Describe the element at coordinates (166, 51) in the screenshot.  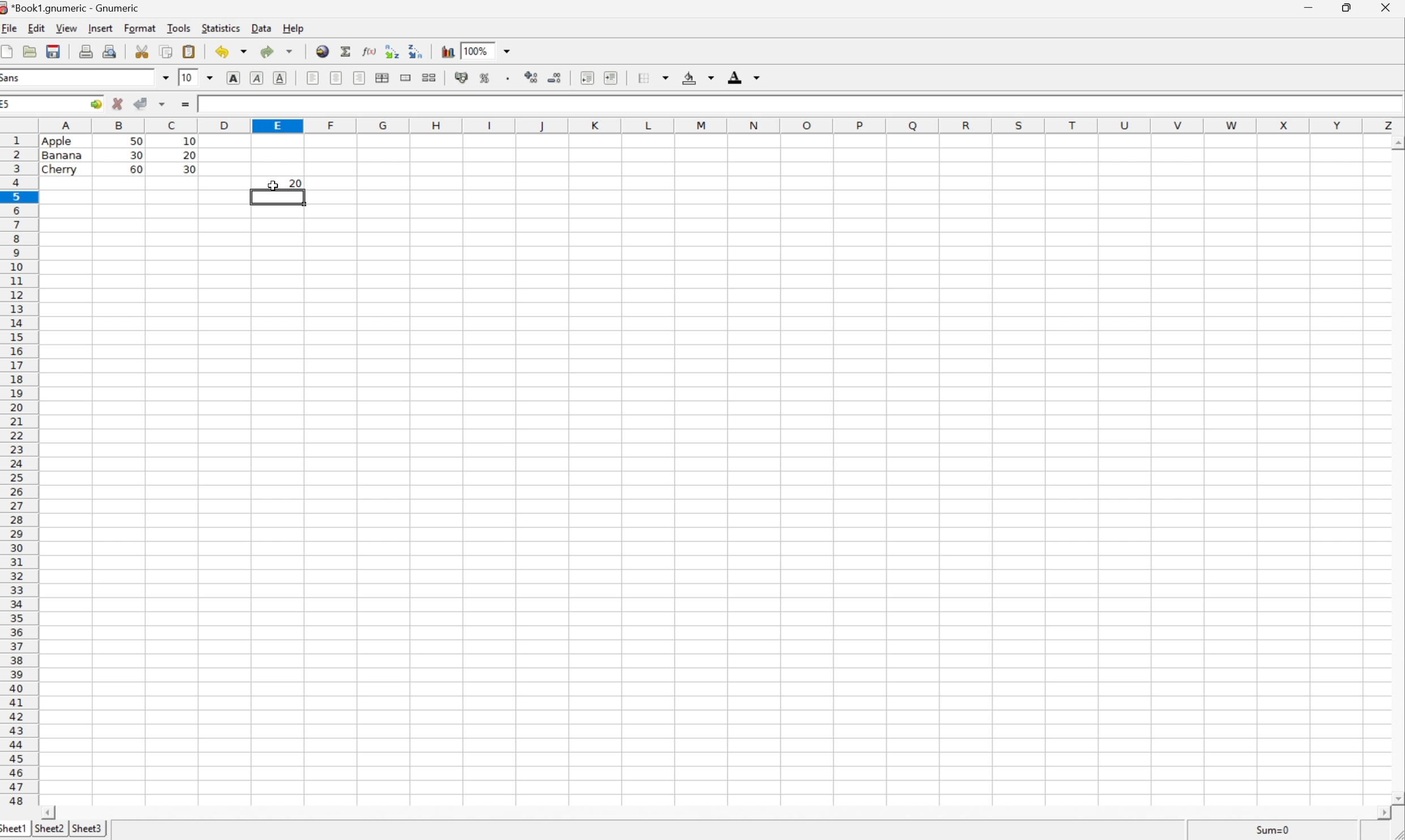
I see `copy` at that location.